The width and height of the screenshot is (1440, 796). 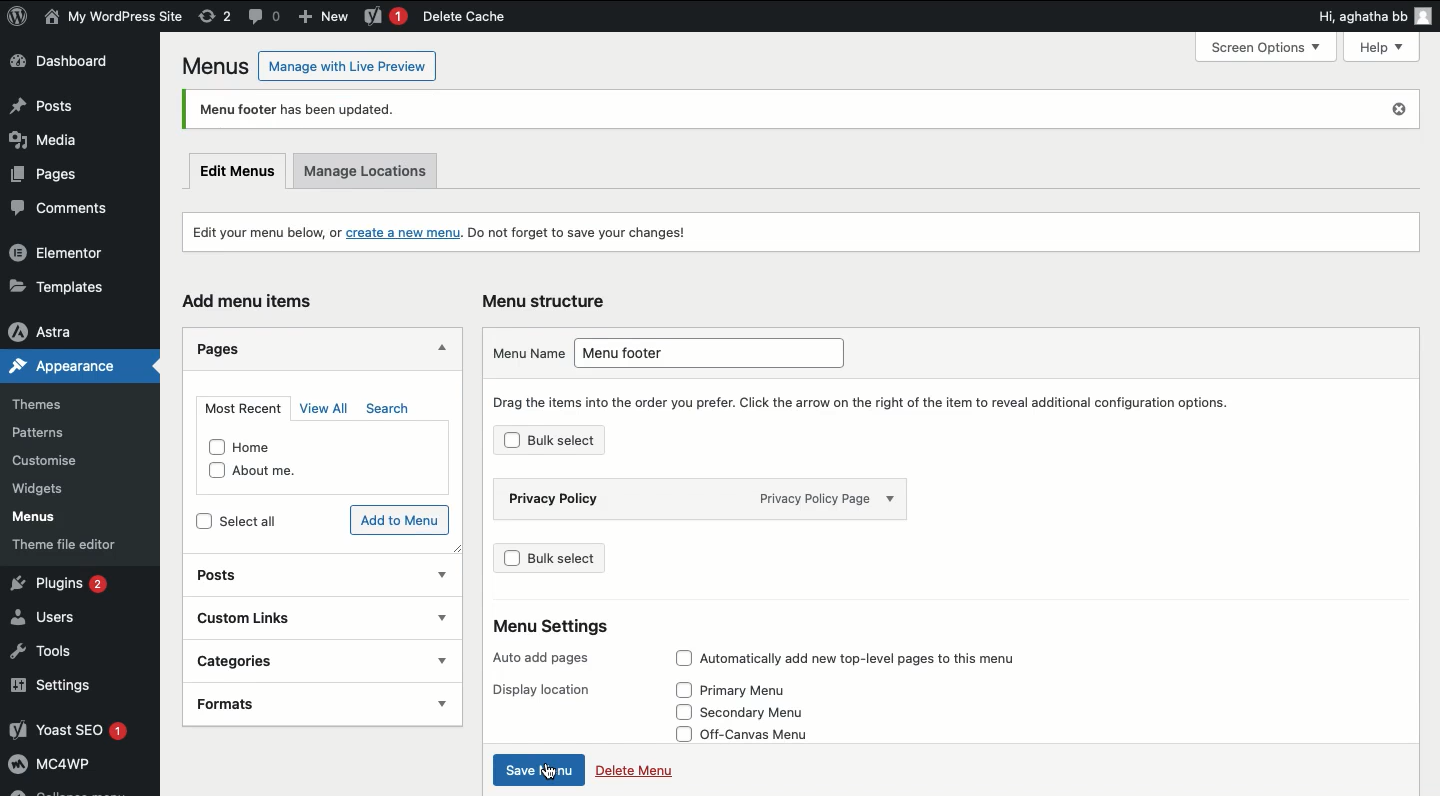 What do you see at coordinates (442, 347) in the screenshot?
I see `Hide` at bounding box center [442, 347].